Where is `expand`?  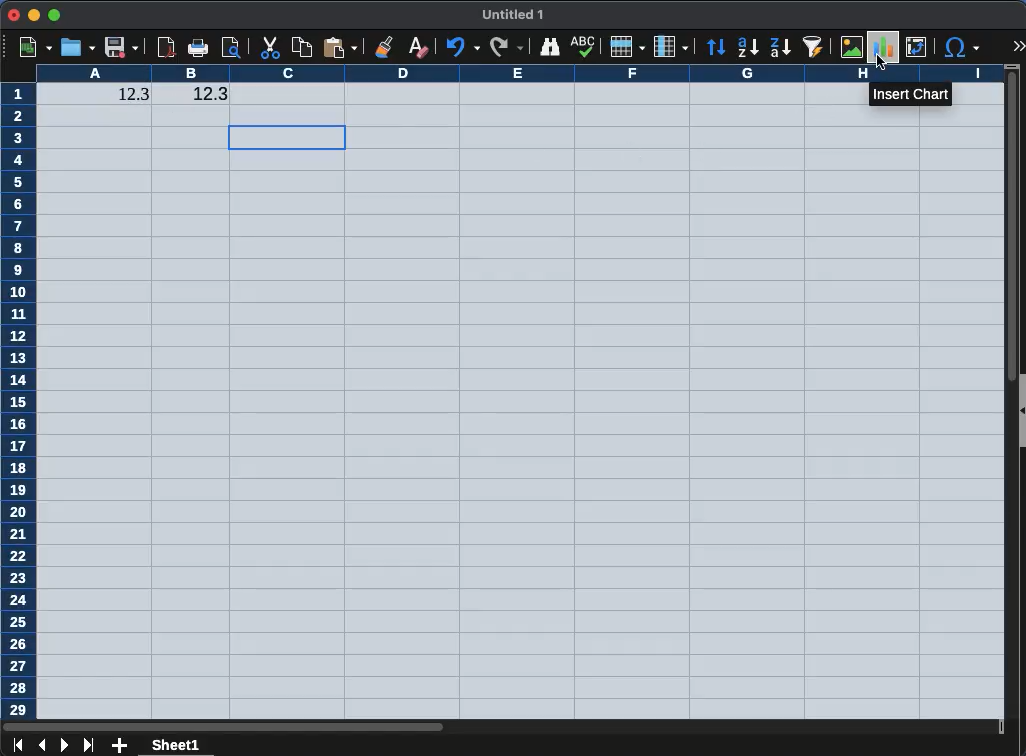 expand is located at coordinates (1018, 45).